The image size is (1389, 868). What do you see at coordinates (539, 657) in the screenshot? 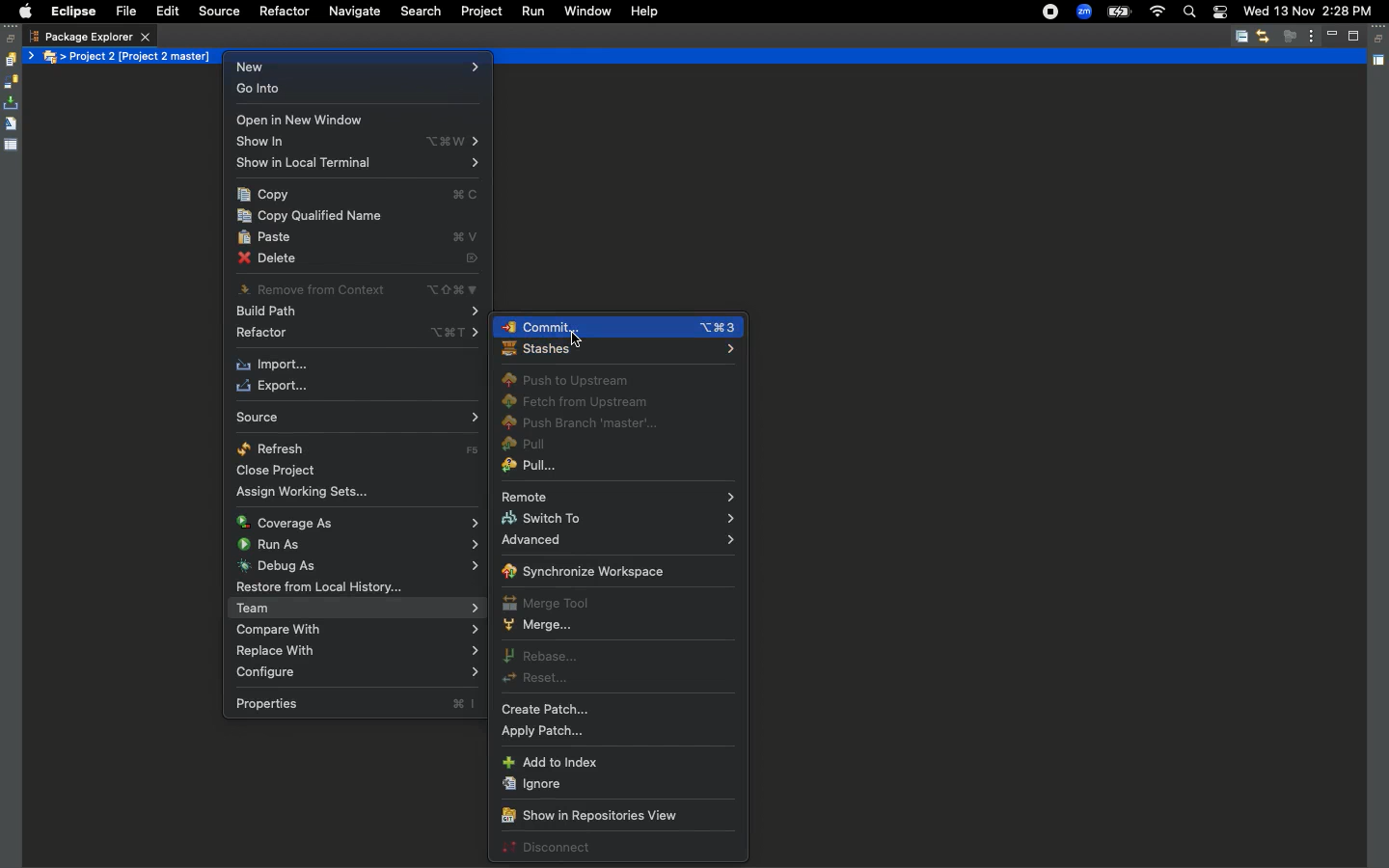
I see `Rebase` at bounding box center [539, 657].